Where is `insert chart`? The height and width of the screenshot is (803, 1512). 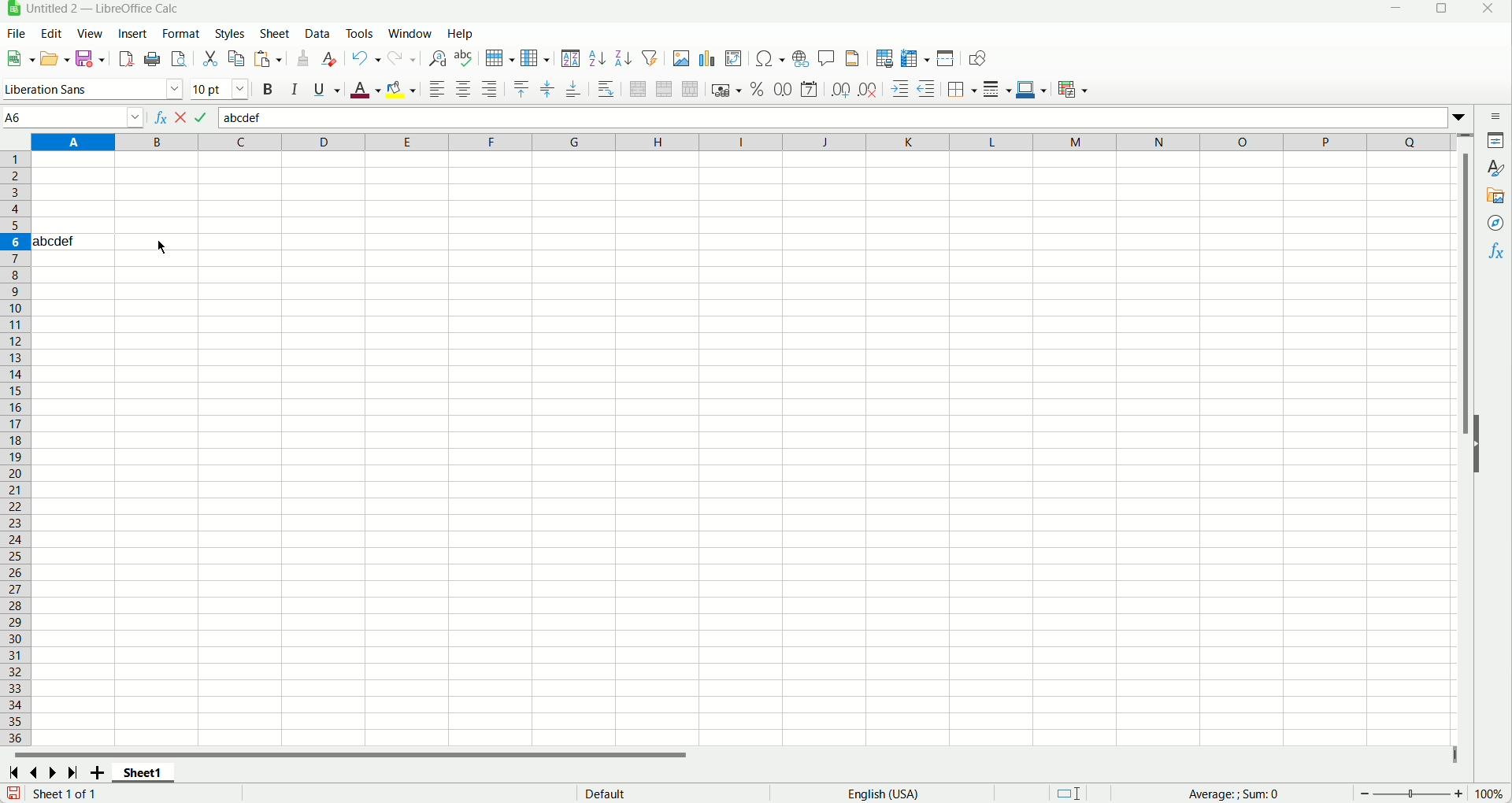 insert chart is located at coordinates (706, 59).